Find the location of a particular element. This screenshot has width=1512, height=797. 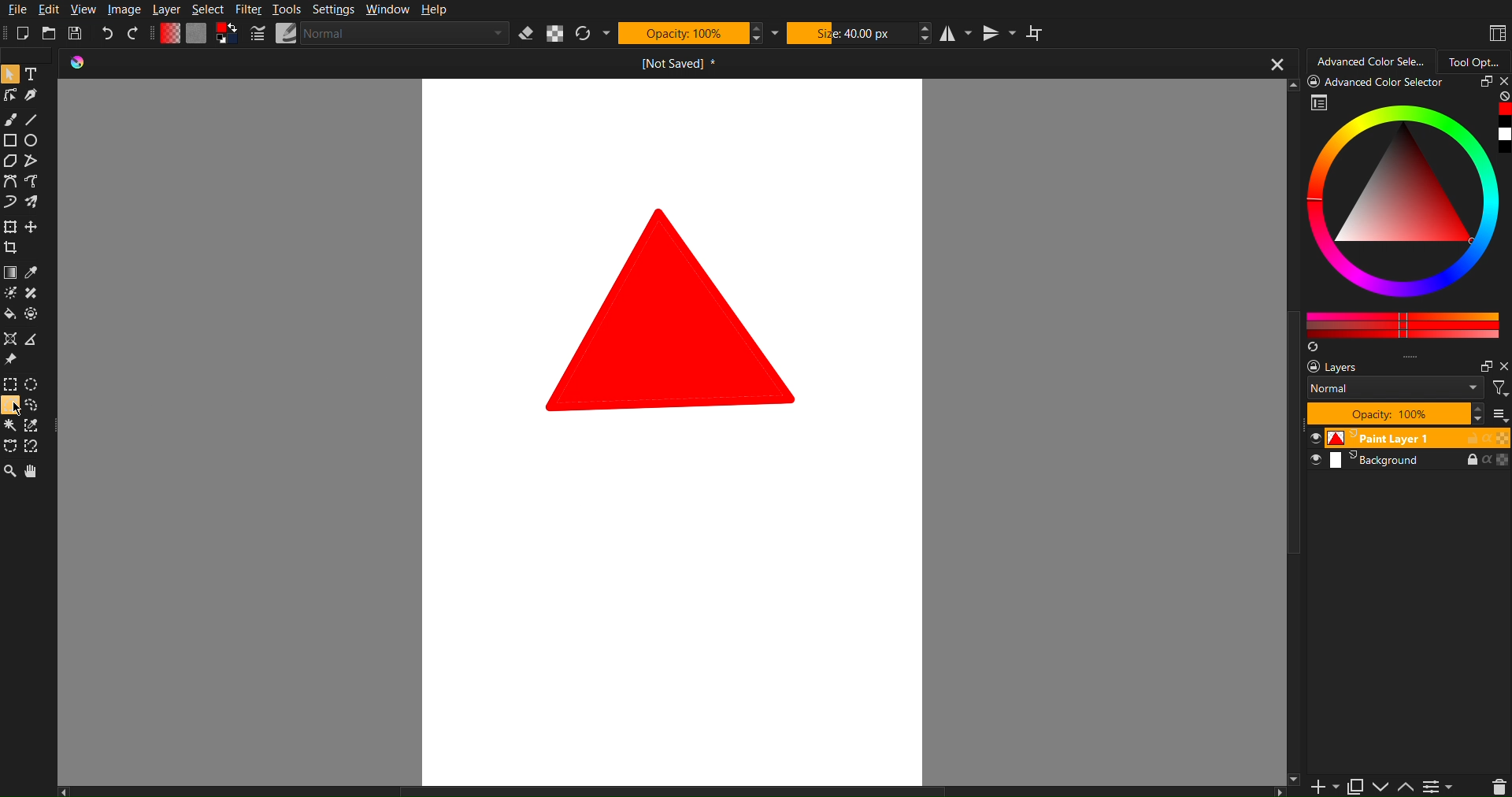

Up  is located at coordinates (1406, 788).